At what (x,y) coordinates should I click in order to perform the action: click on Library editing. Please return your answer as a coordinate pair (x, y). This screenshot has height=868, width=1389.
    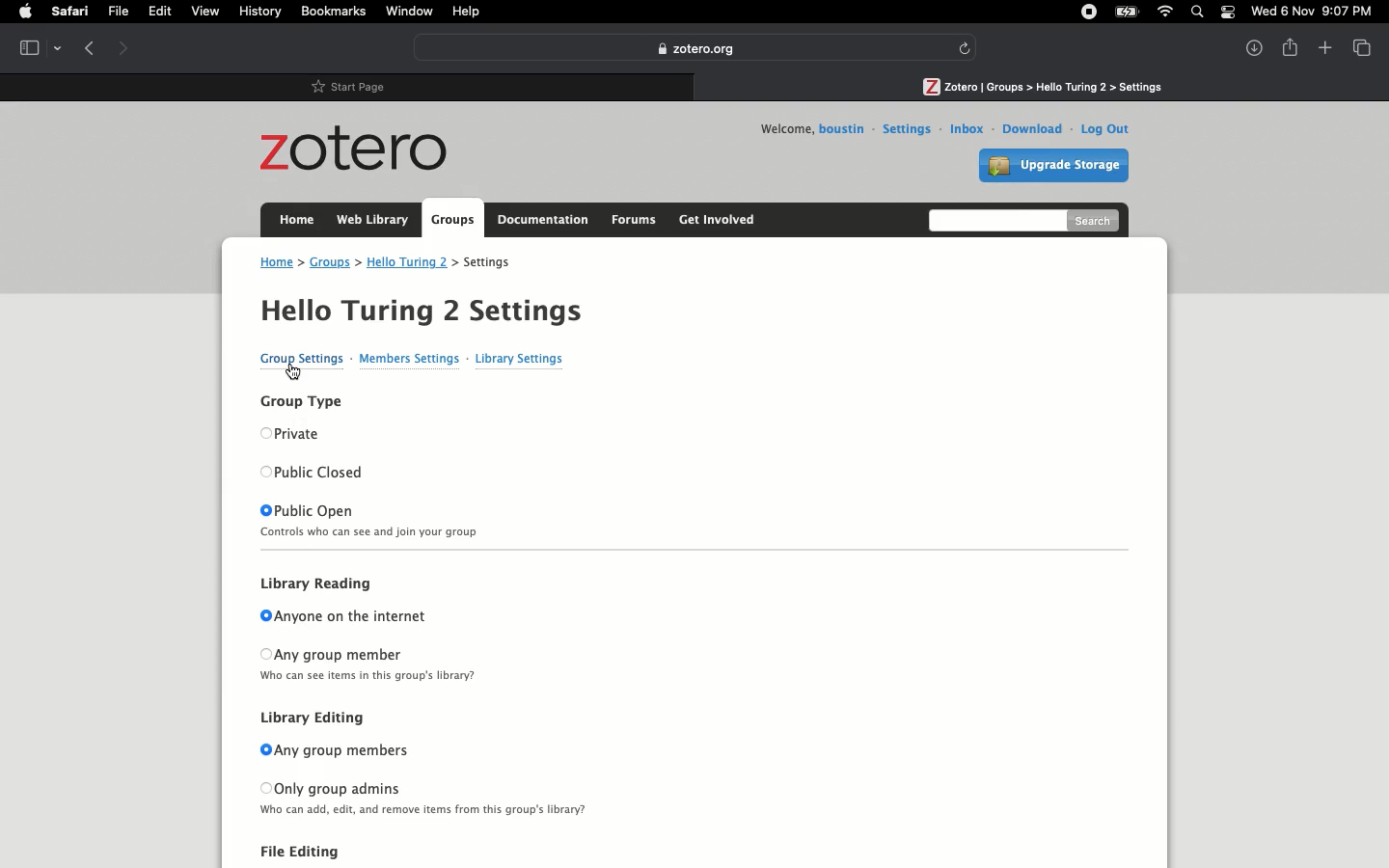
    Looking at the image, I should click on (304, 719).